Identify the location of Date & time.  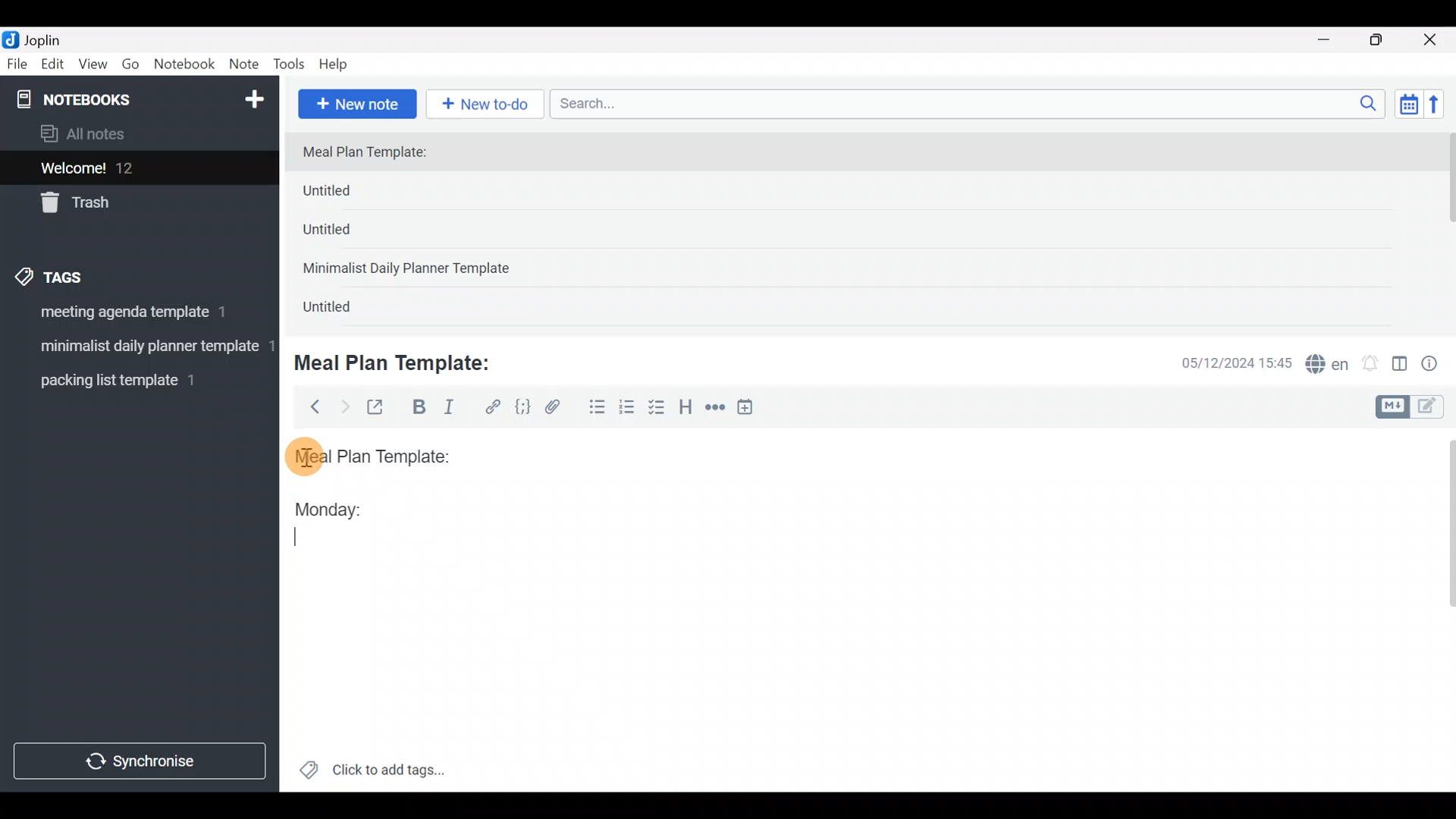
(1225, 362).